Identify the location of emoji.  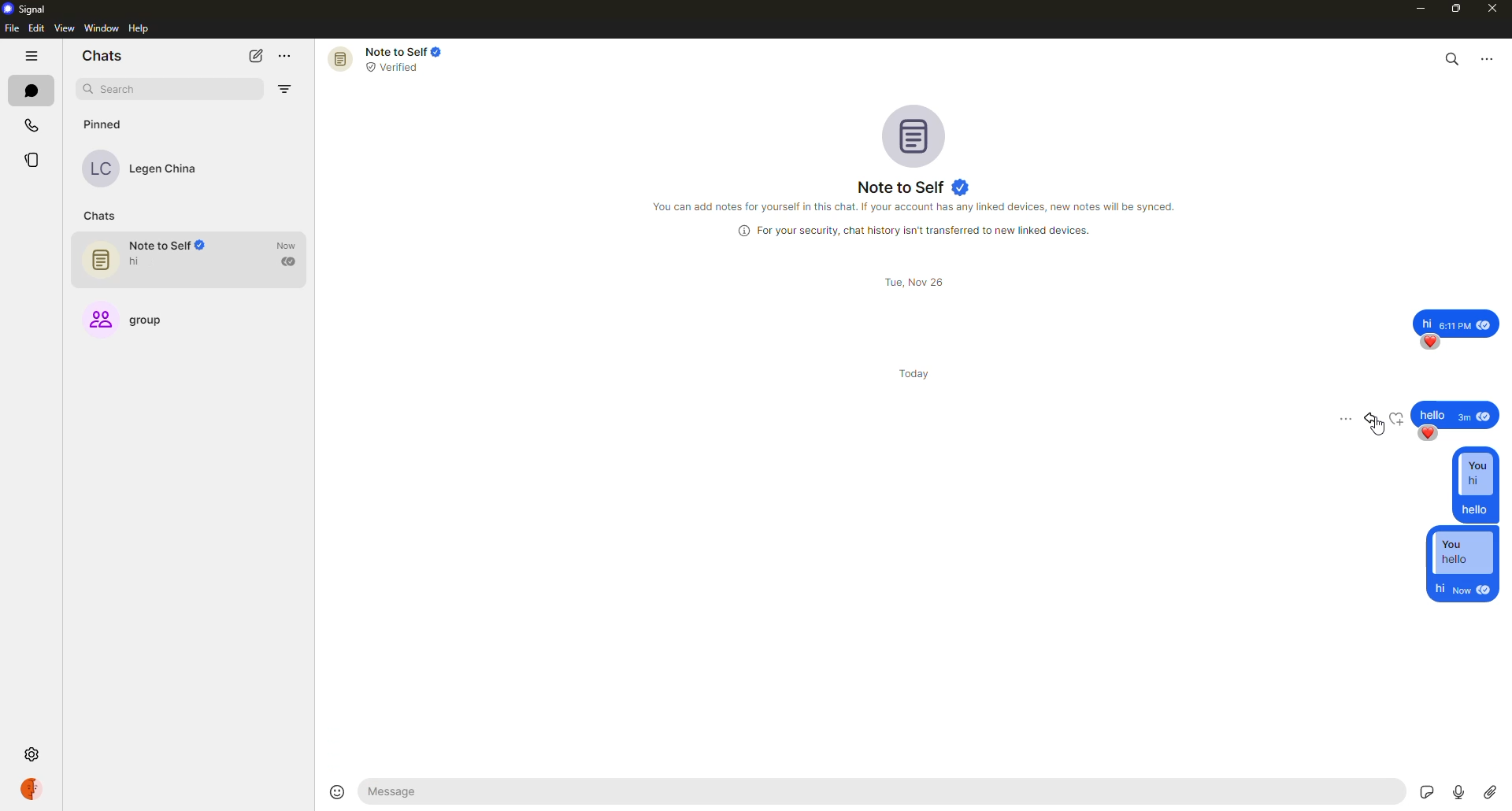
(337, 791).